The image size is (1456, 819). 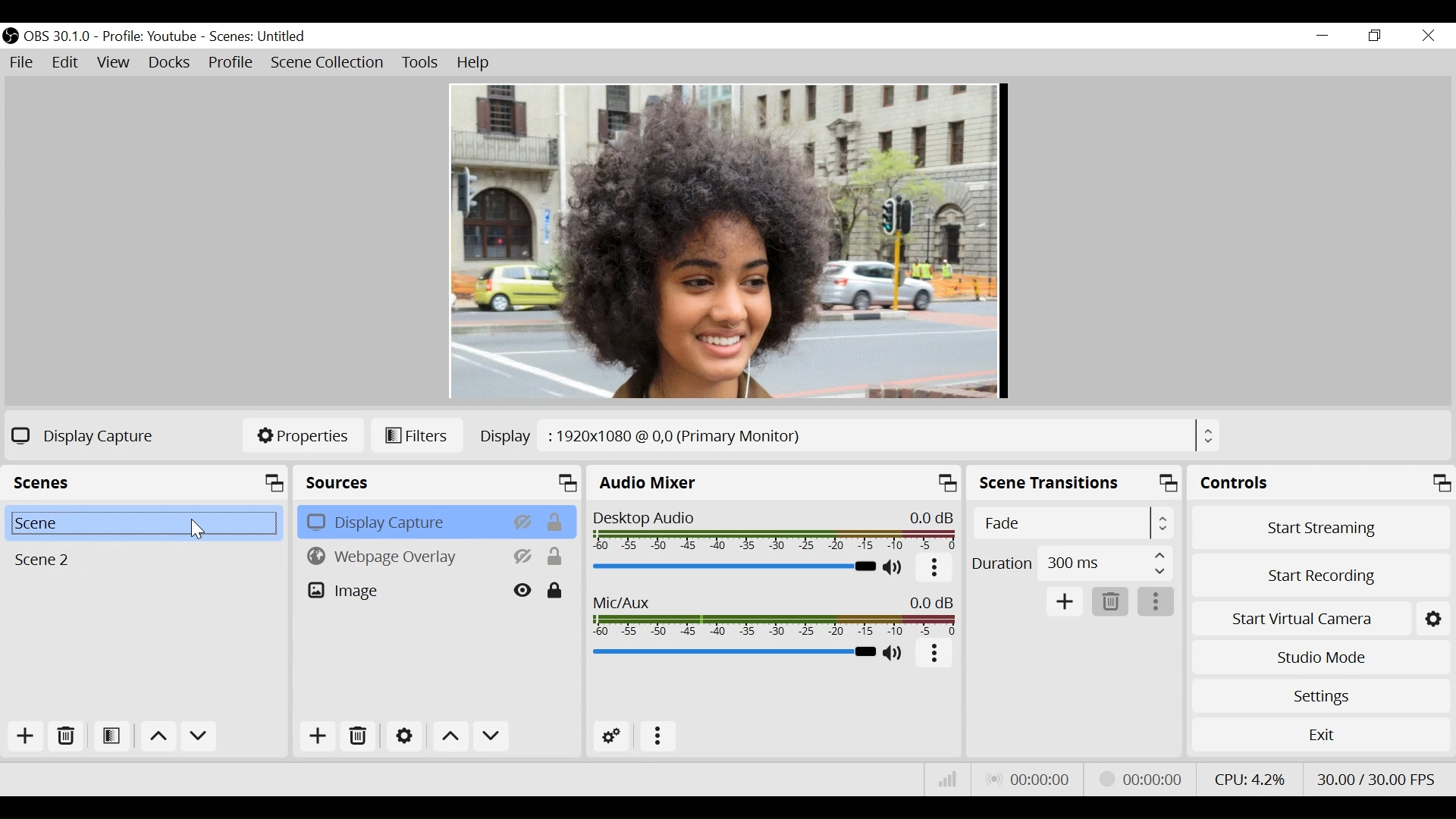 I want to click on Display Capture, so click(x=87, y=435).